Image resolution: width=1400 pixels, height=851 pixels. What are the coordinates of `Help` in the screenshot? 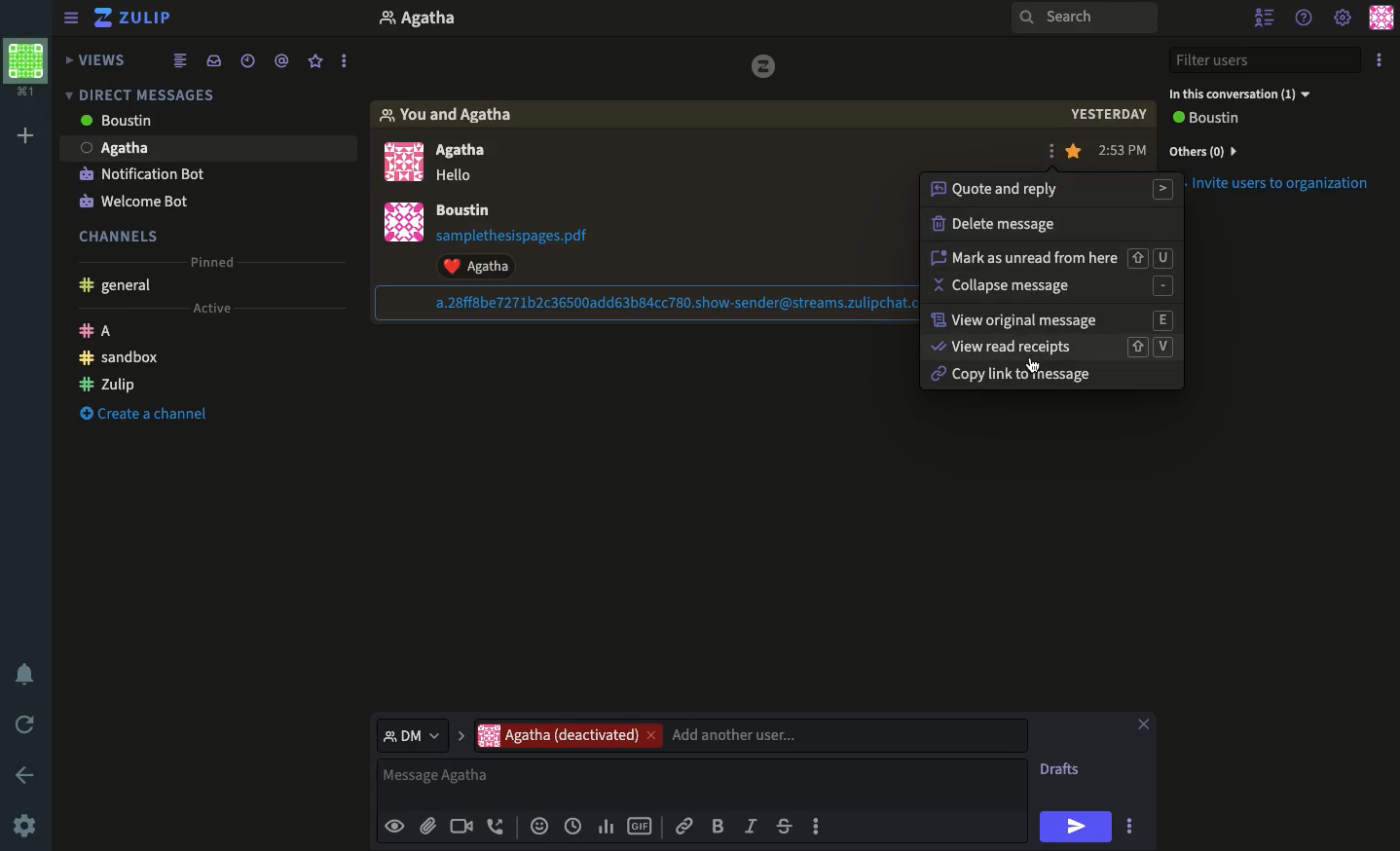 It's located at (1303, 18).